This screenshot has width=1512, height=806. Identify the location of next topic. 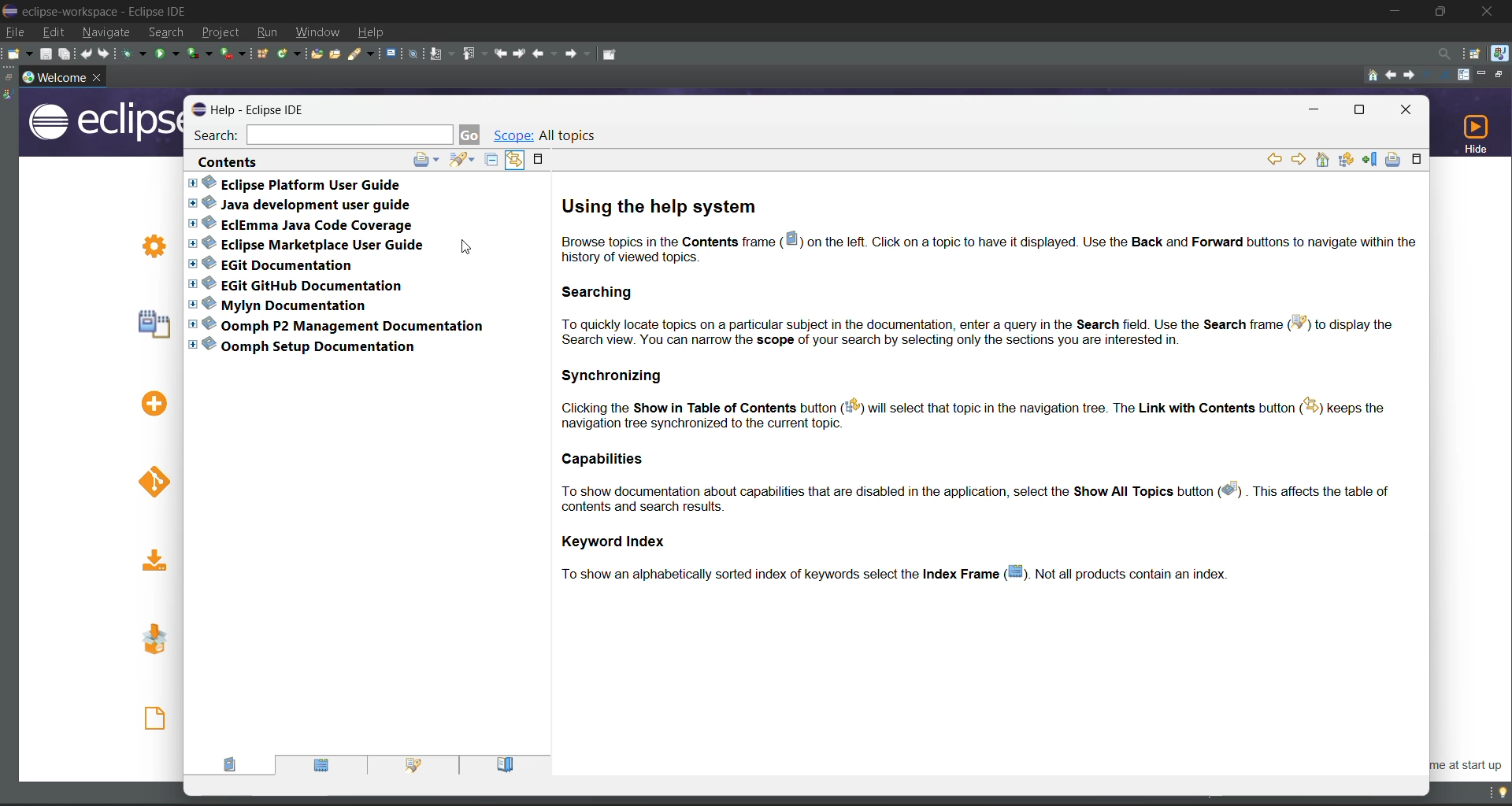
(1409, 74).